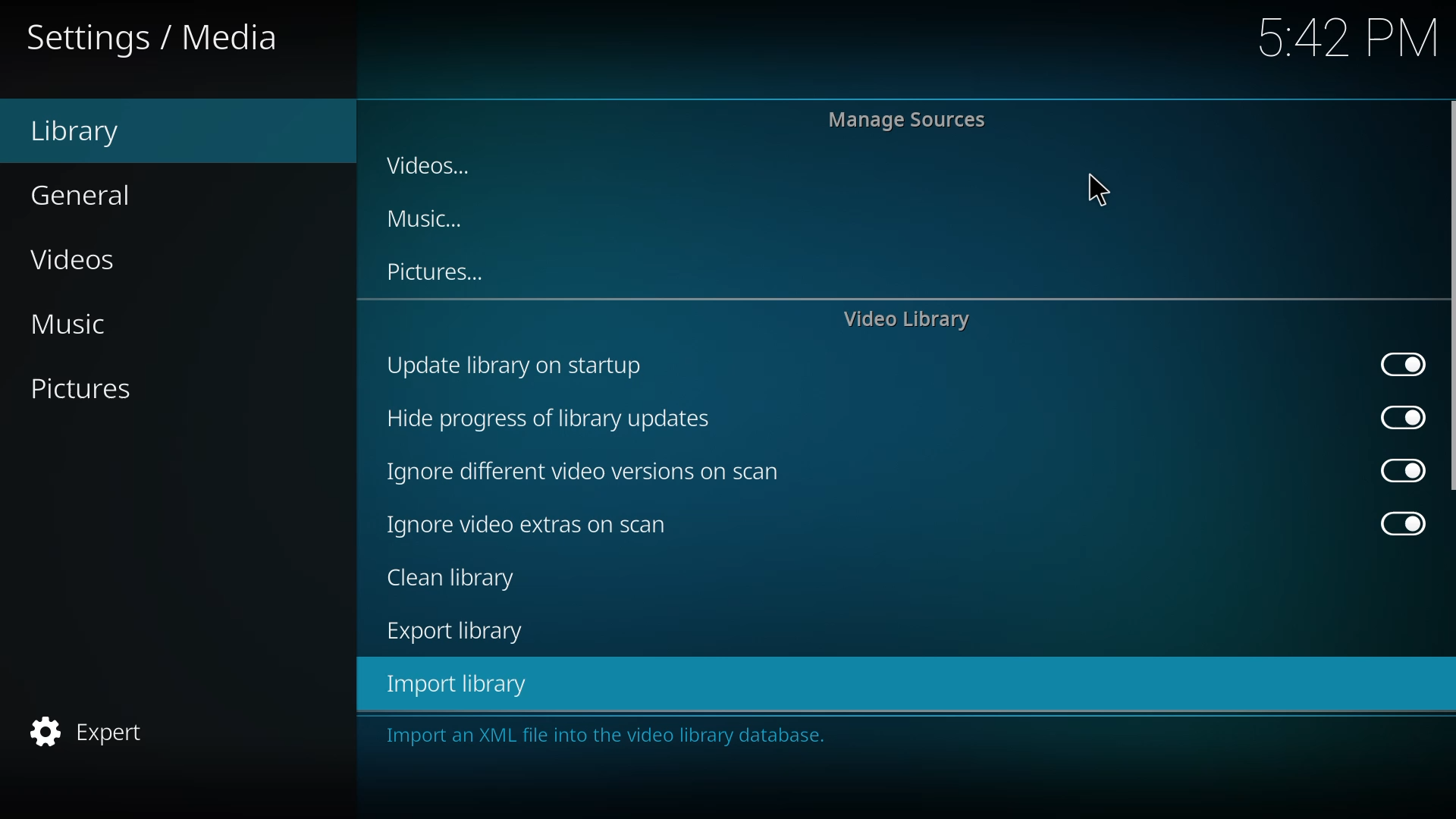 The width and height of the screenshot is (1456, 819). Describe the element at coordinates (547, 419) in the screenshot. I see `hide progress` at that location.